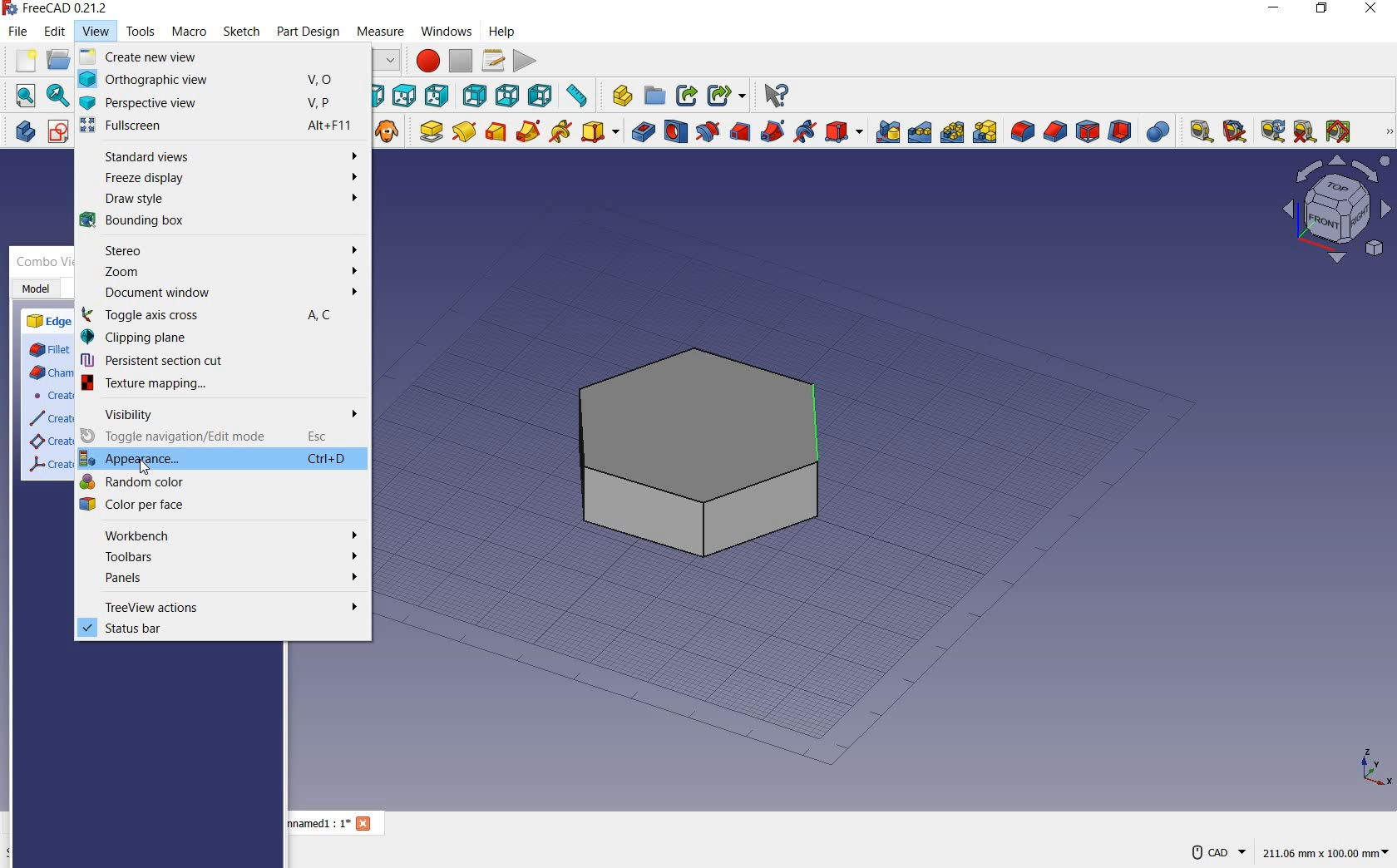  I want to click on chamfer, so click(49, 373).